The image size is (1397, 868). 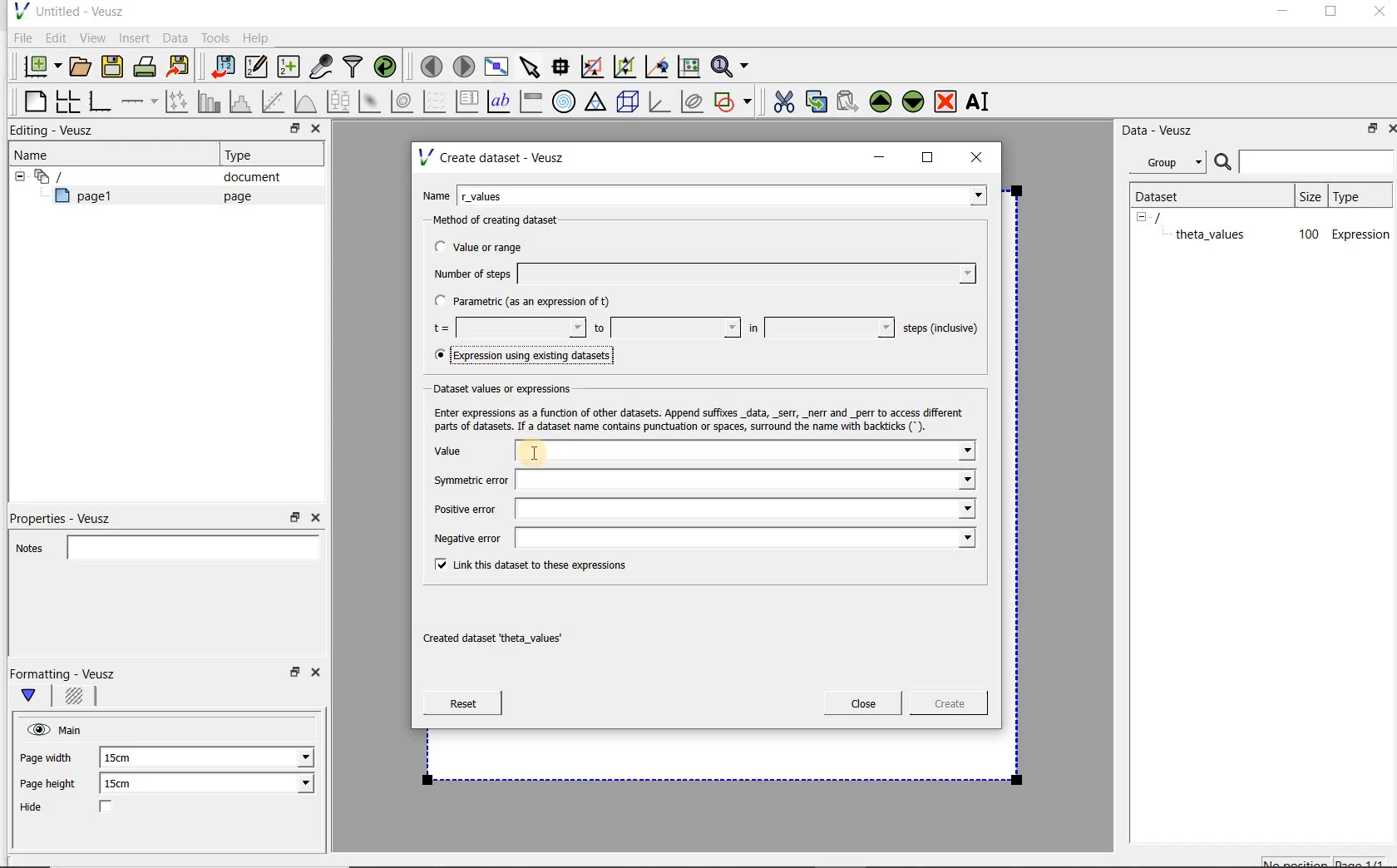 What do you see at coordinates (531, 101) in the screenshot?
I see `image color bar` at bounding box center [531, 101].